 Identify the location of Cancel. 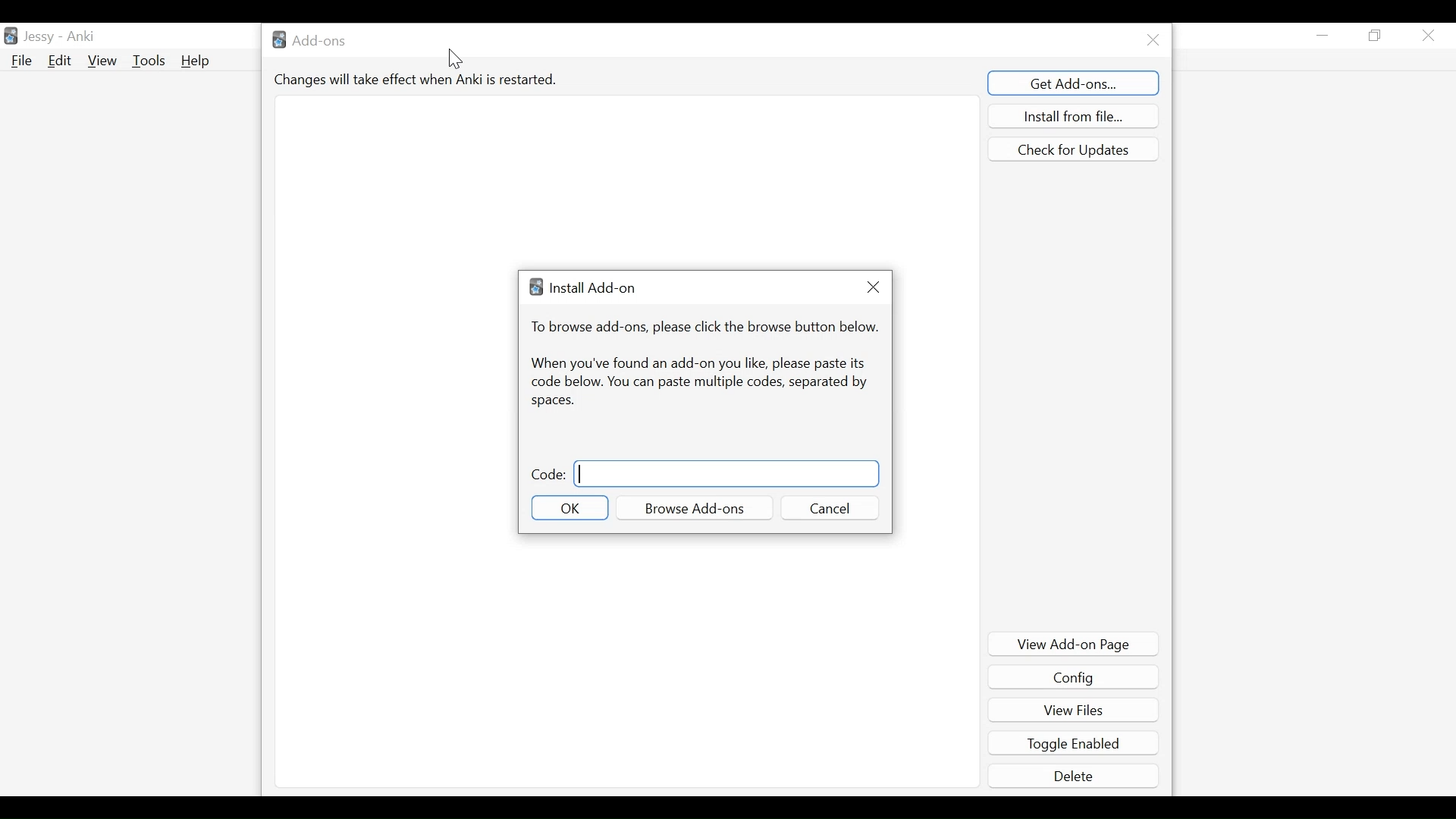
(829, 508).